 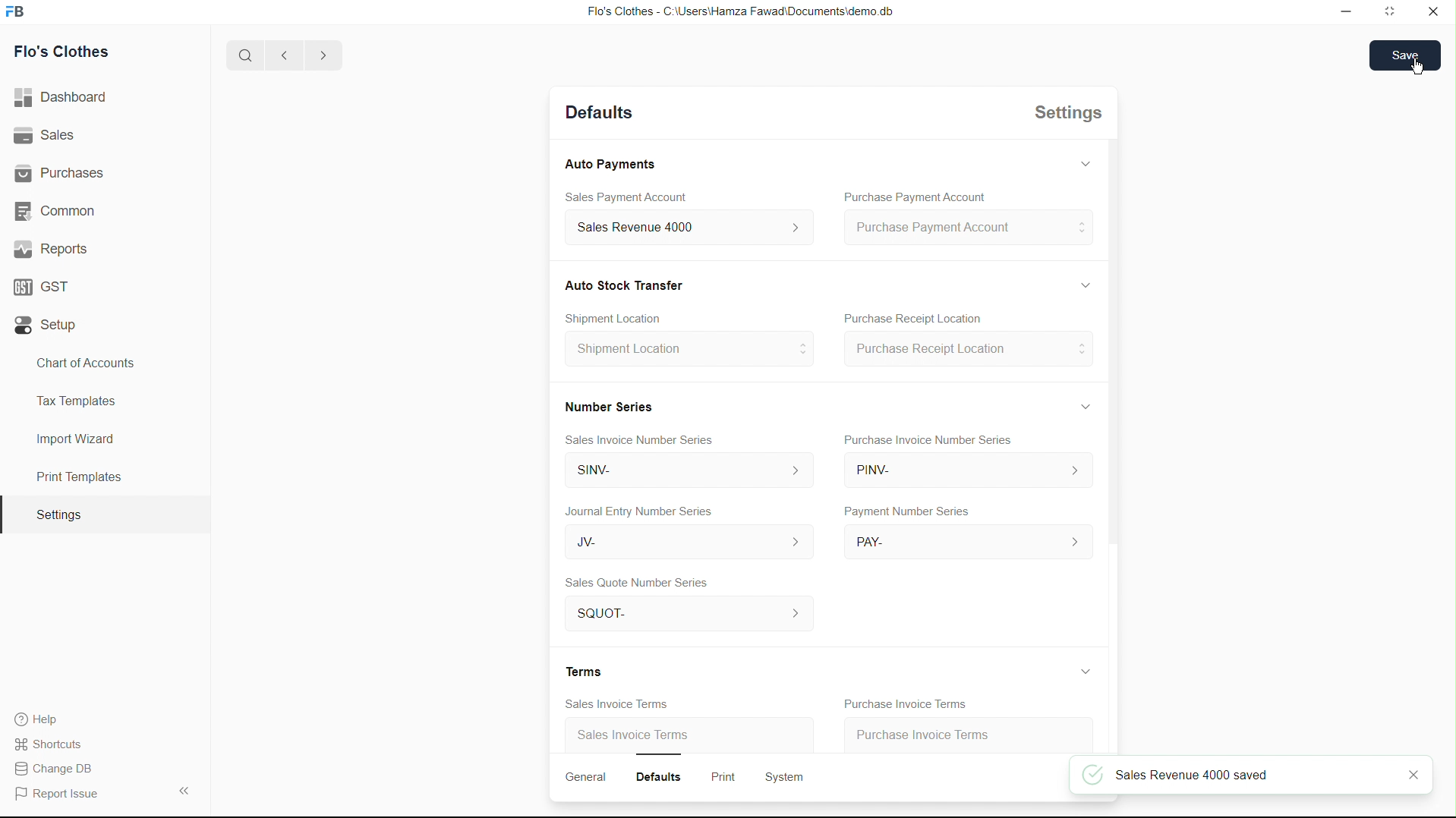 What do you see at coordinates (969, 539) in the screenshot?
I see `PAY-` at bounding box center [969, 539].